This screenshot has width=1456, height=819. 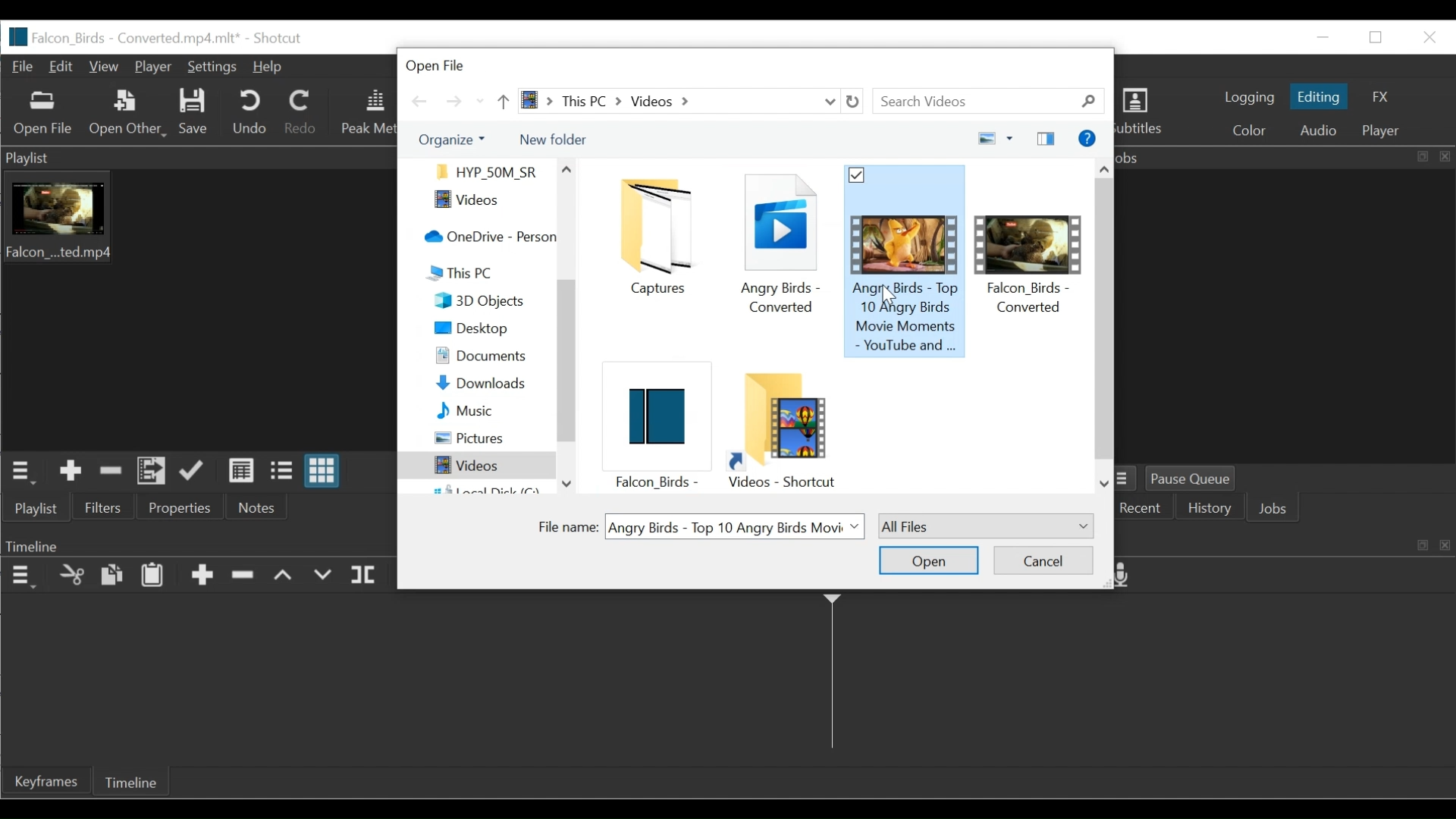 What do you see at coordinates (249, 112) in the screenshot?
I see `Undo` at bounding box center [249, 112].